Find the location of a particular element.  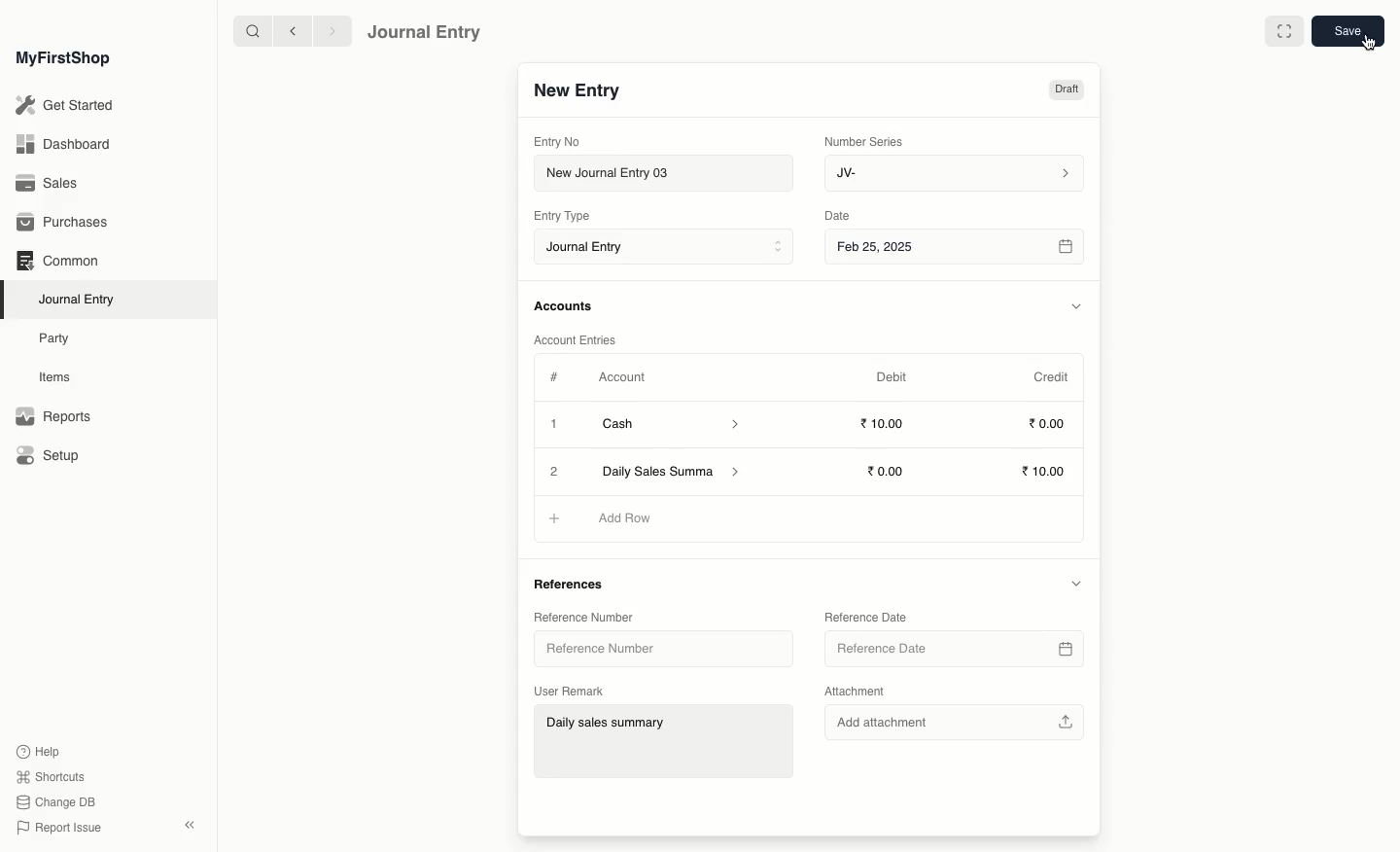

Collapse is located at coordinates (190, 825).